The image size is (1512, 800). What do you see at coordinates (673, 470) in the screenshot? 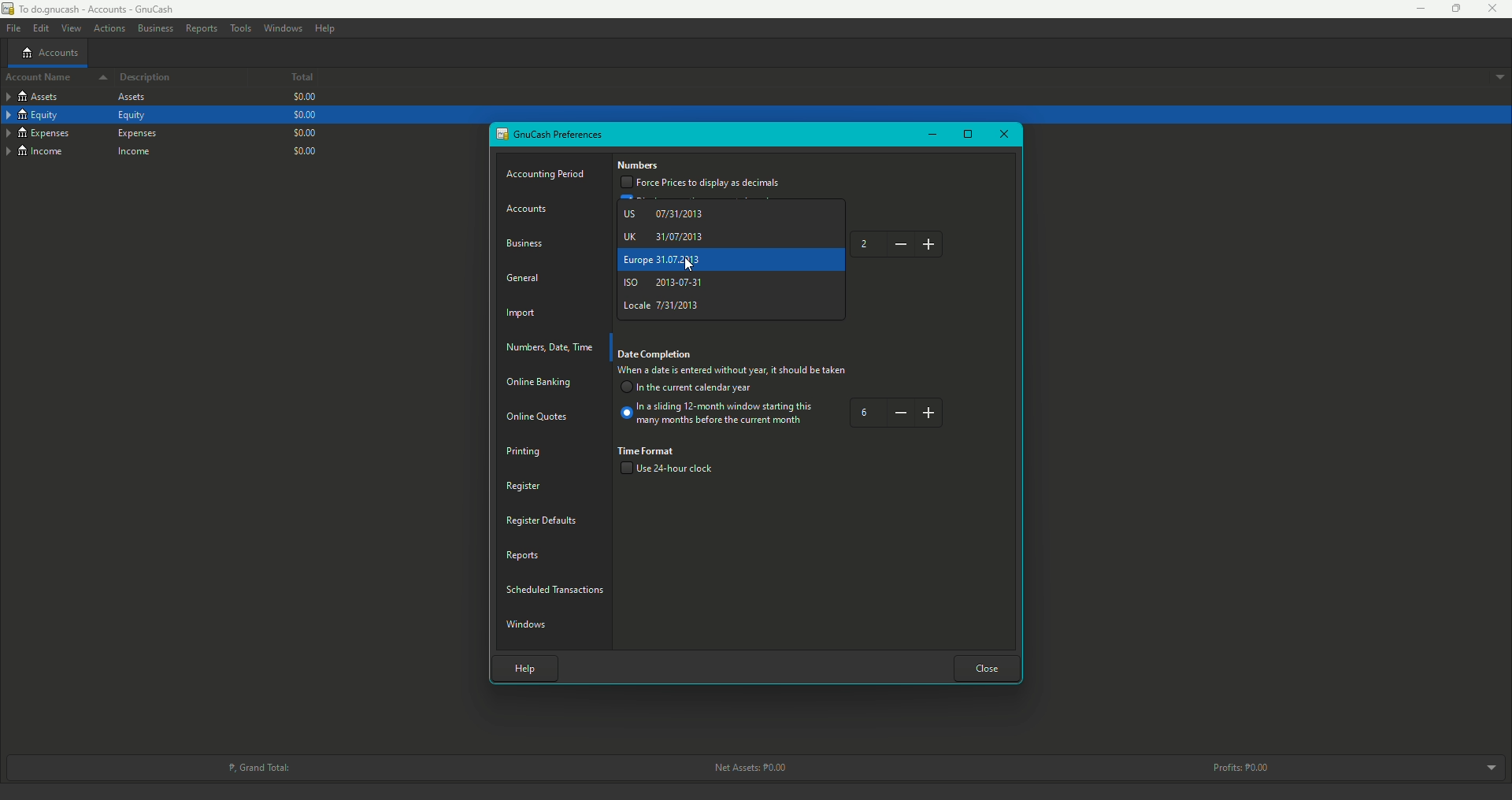
I see `Use 24-hour clock` at bounding box center [673, 470].